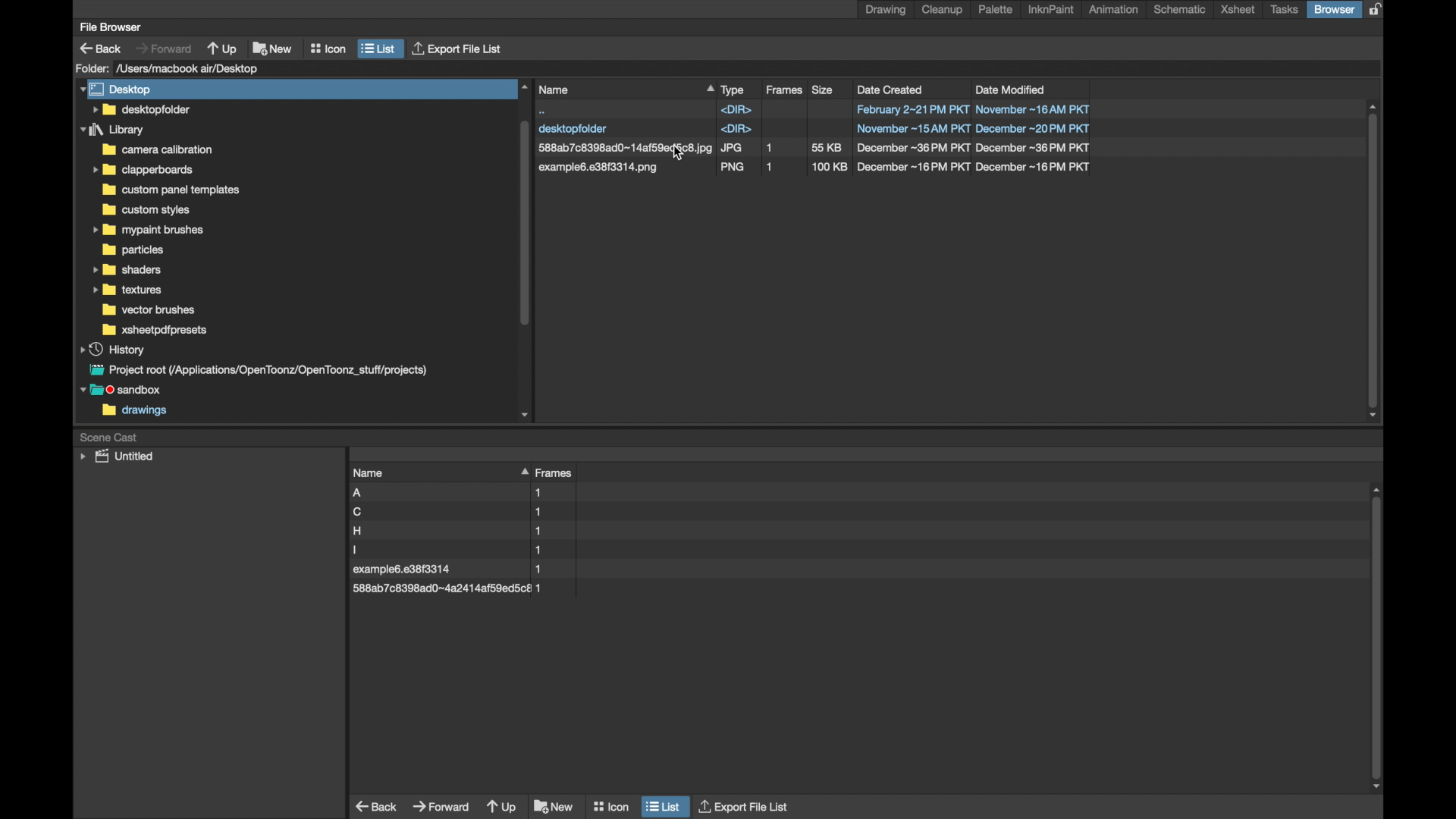  I want to click on drag handle, so click(522, 470).